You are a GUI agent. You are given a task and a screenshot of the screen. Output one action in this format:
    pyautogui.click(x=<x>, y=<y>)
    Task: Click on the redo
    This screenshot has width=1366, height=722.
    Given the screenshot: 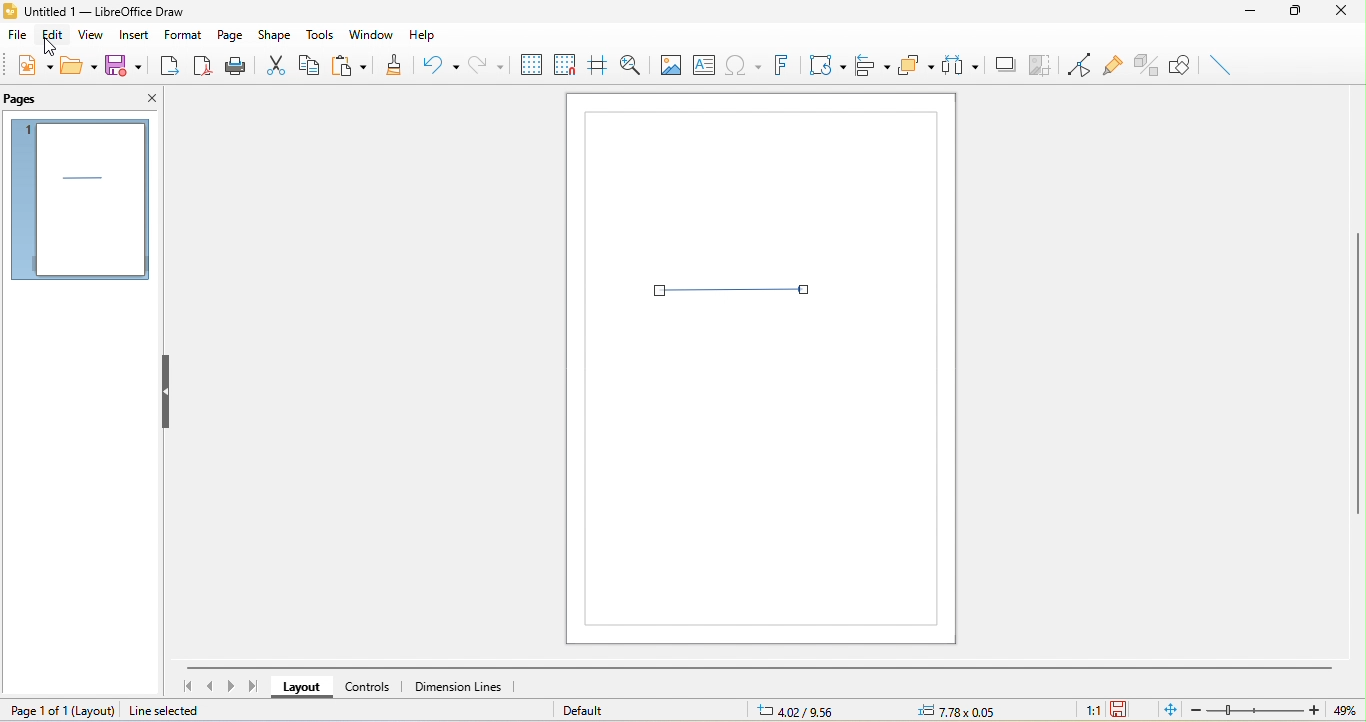 What is the action you would take?
    pyautogui.click(x=487, y=63)
    